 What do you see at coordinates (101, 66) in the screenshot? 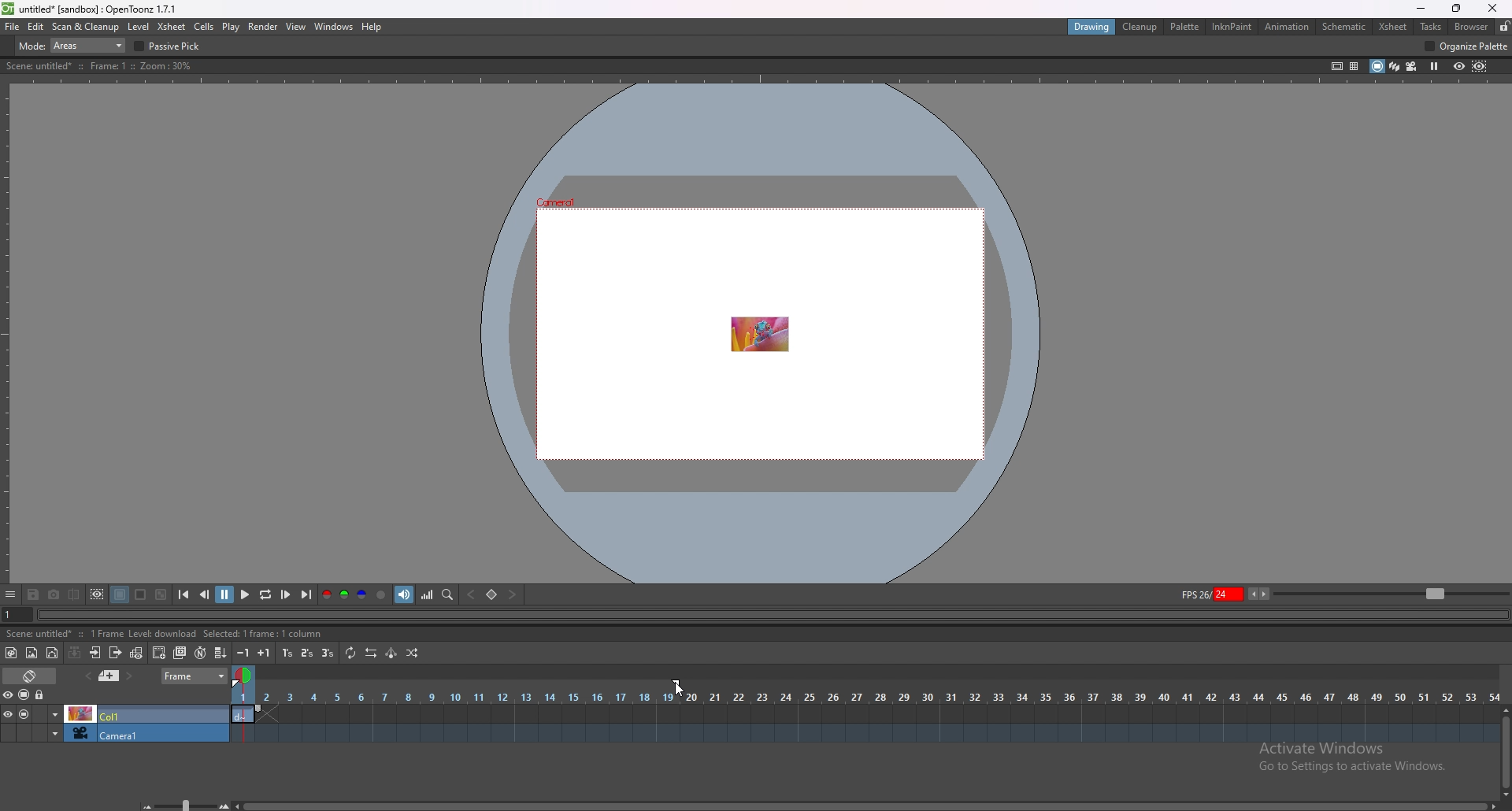
I see `description` at bounding box center [101, 66].